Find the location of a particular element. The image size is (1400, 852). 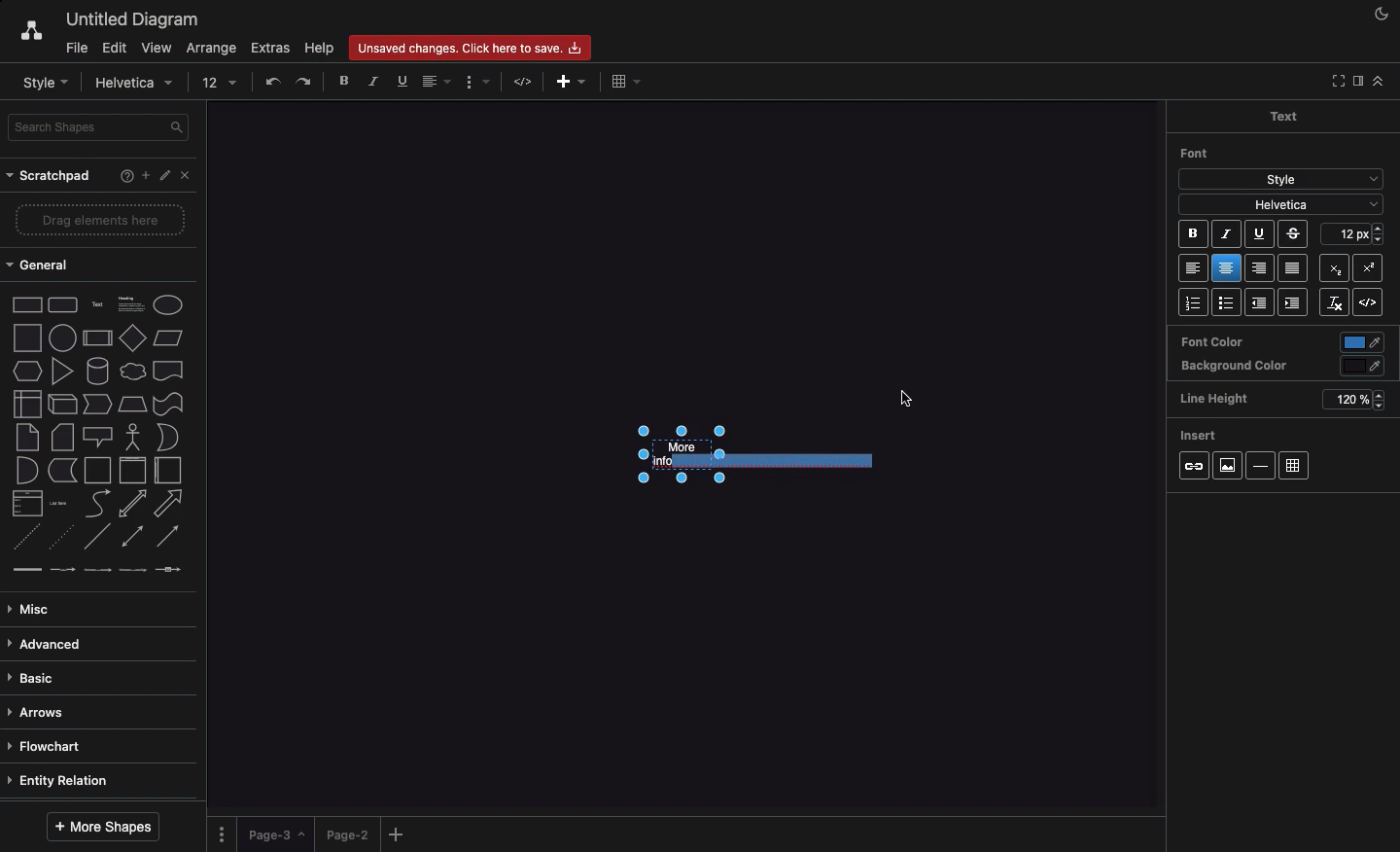

Help is located at coordinates (318, 48).